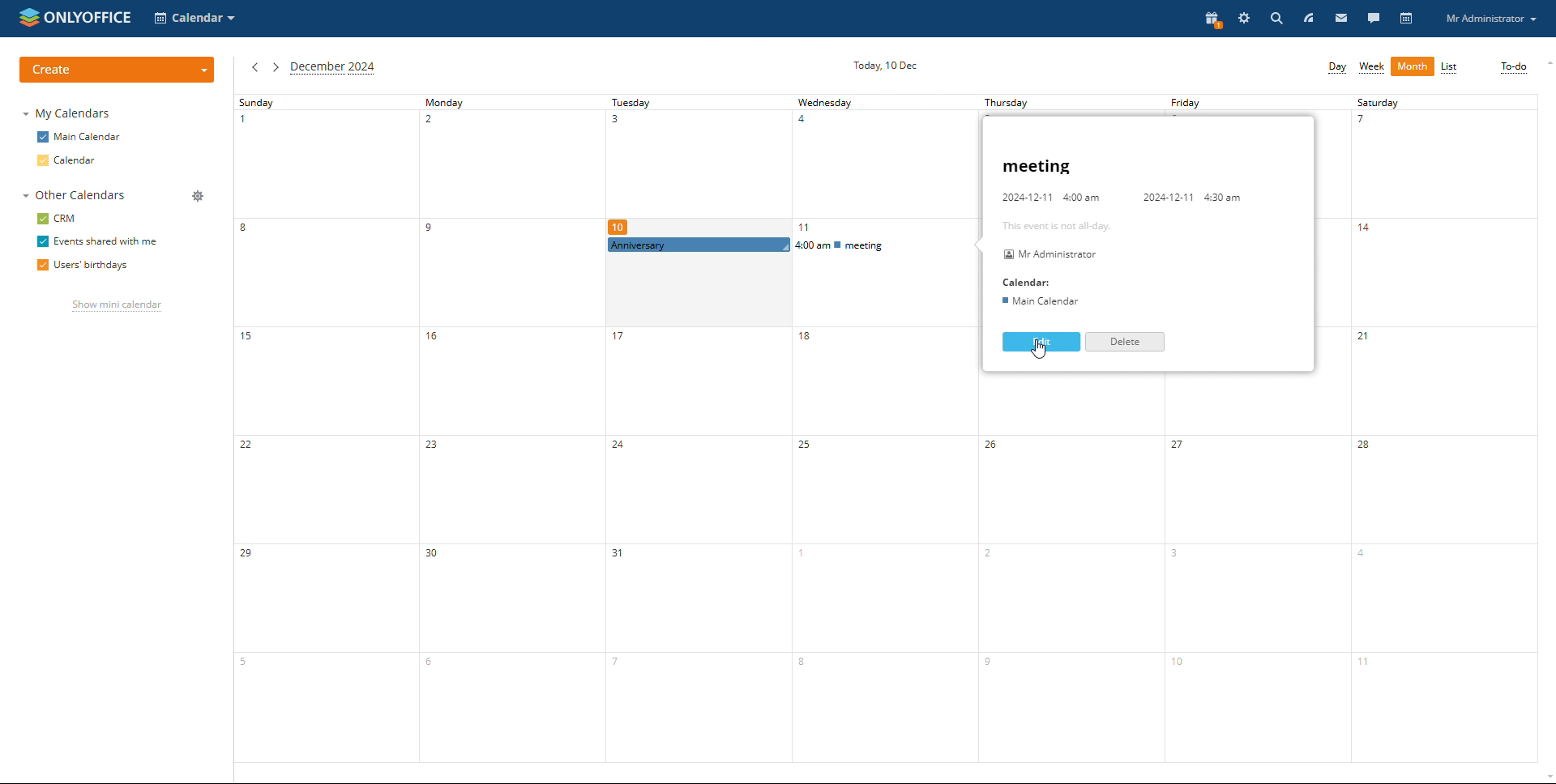 This screenshot has height=784, width=1556. I want to click on next month, so click(274, 67).